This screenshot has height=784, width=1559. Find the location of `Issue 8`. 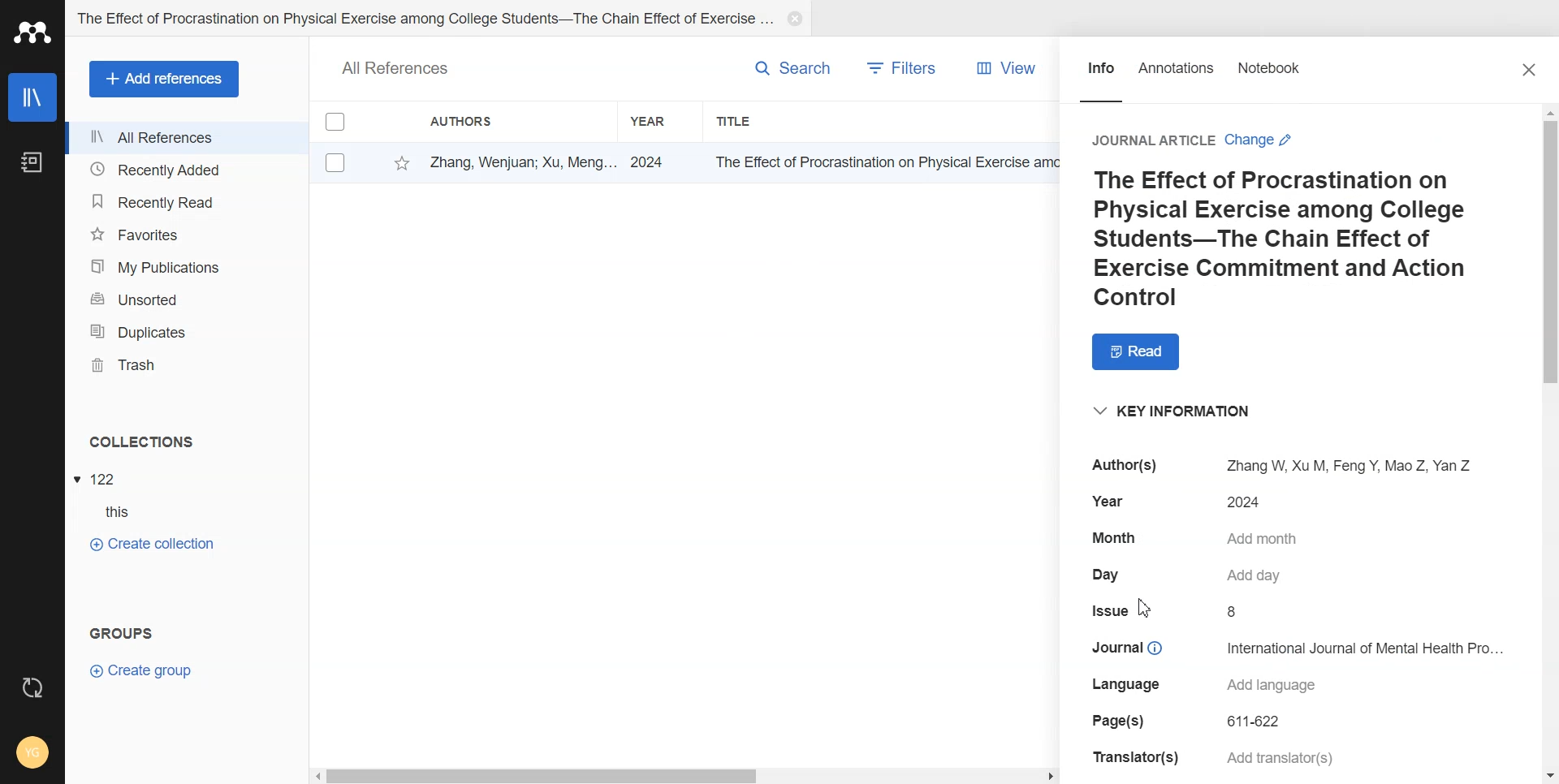

Issue 8 is located at coordinates (1168, 611).